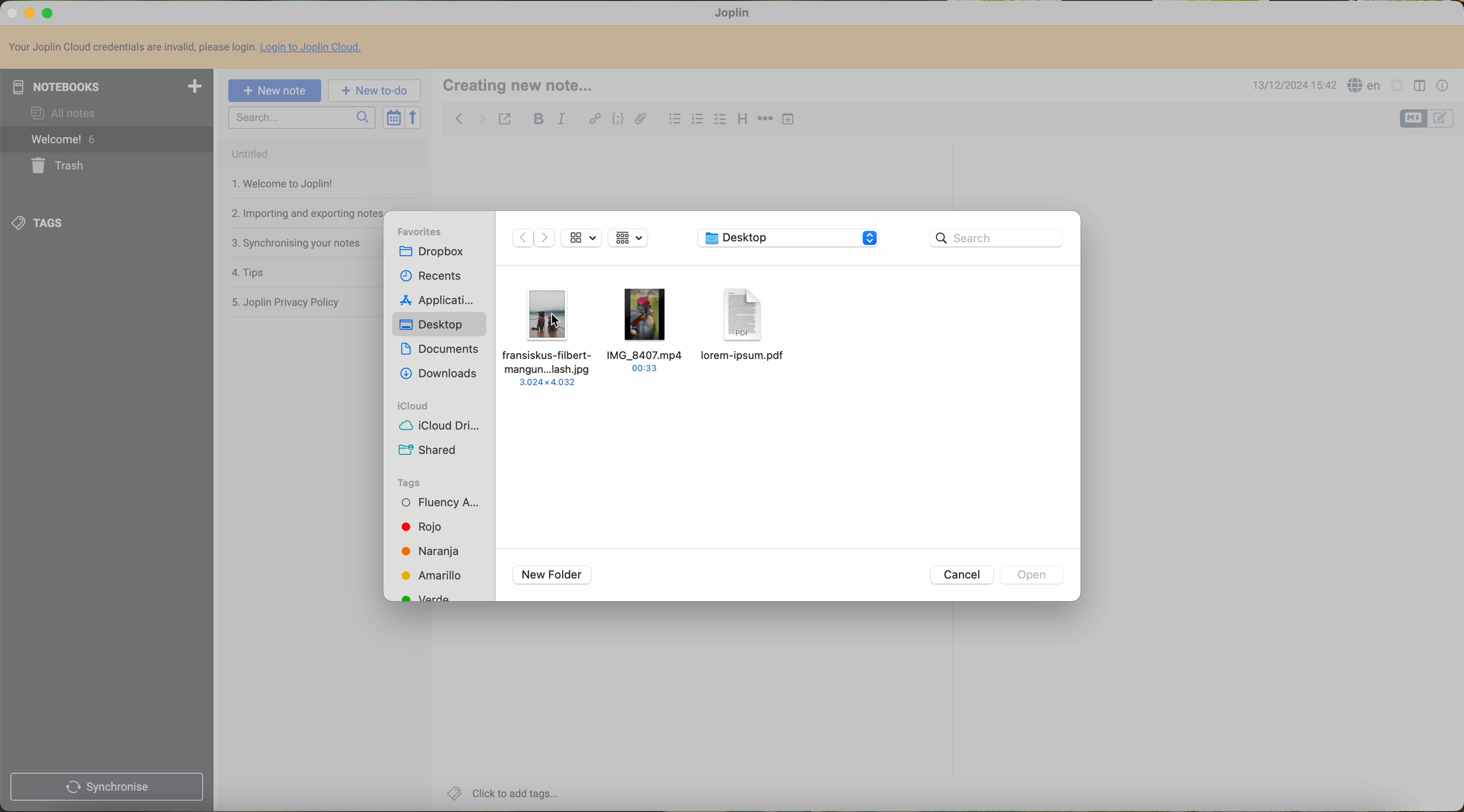  Describe the element at coordinates (280, 184) in the screenshot. I see `welcome to joplin` at that location.